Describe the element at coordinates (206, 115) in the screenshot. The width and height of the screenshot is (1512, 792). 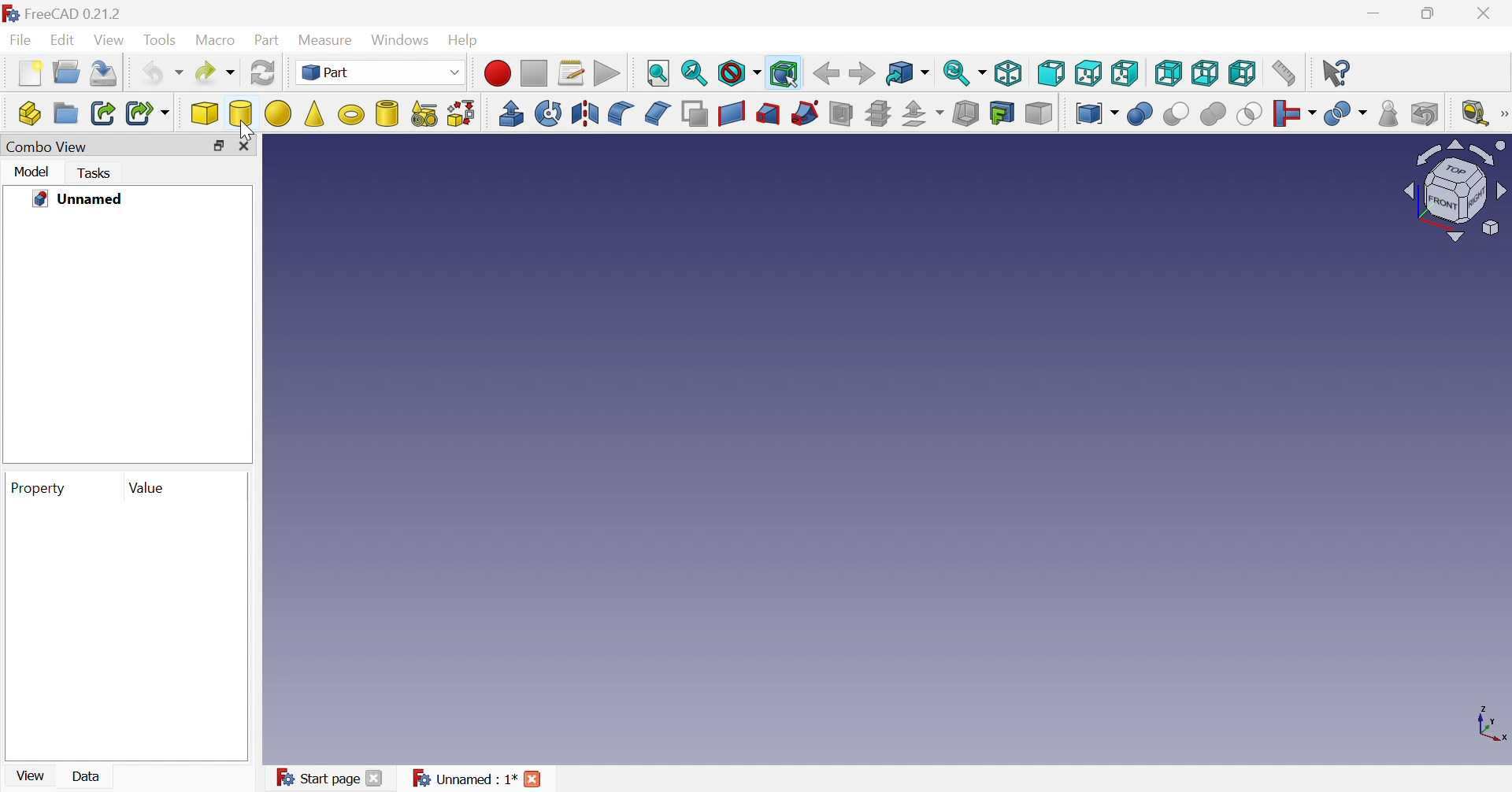
I see `Cube` at that location.